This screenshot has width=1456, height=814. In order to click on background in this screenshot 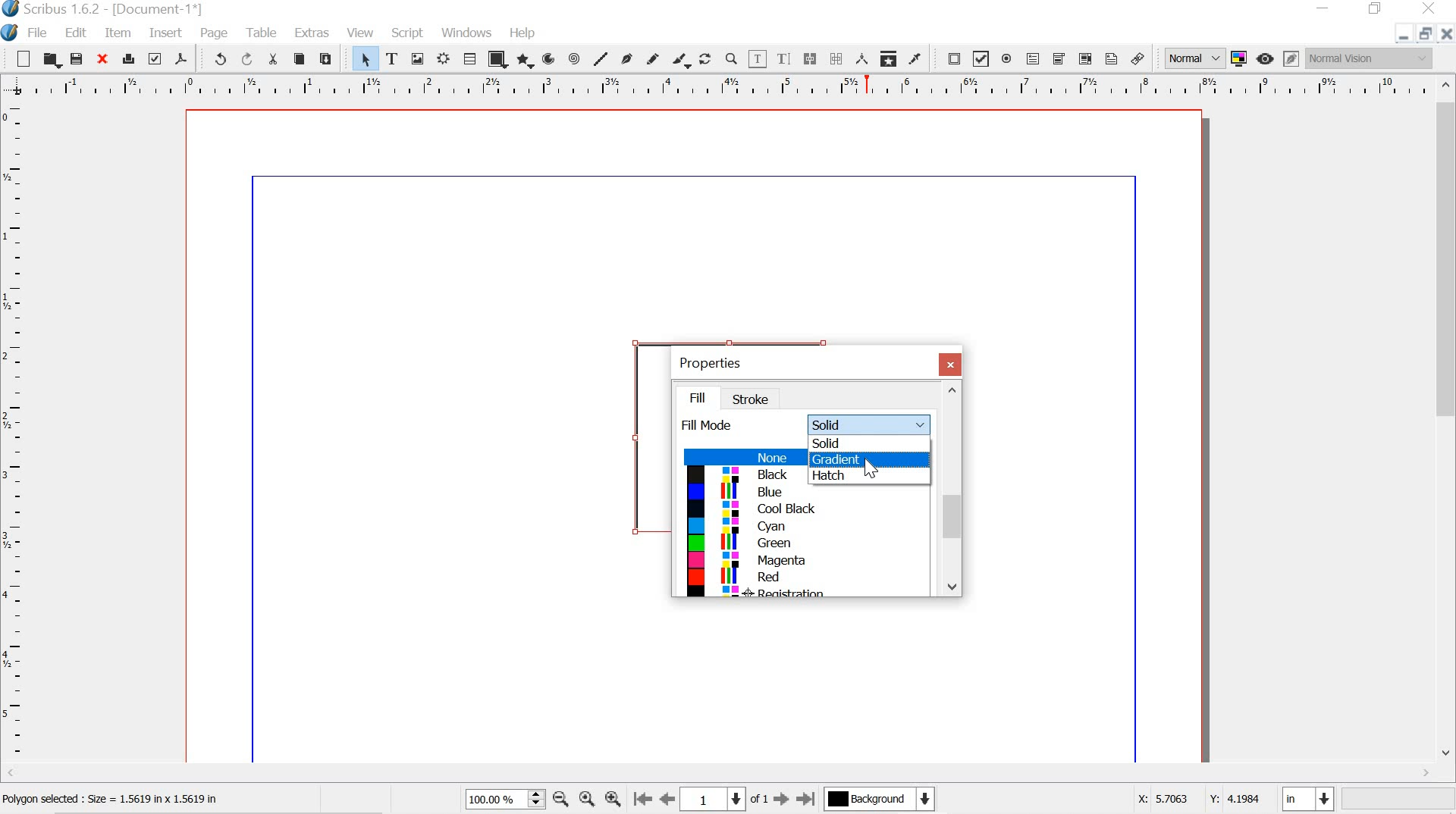, I will do `click(886, 800)`.